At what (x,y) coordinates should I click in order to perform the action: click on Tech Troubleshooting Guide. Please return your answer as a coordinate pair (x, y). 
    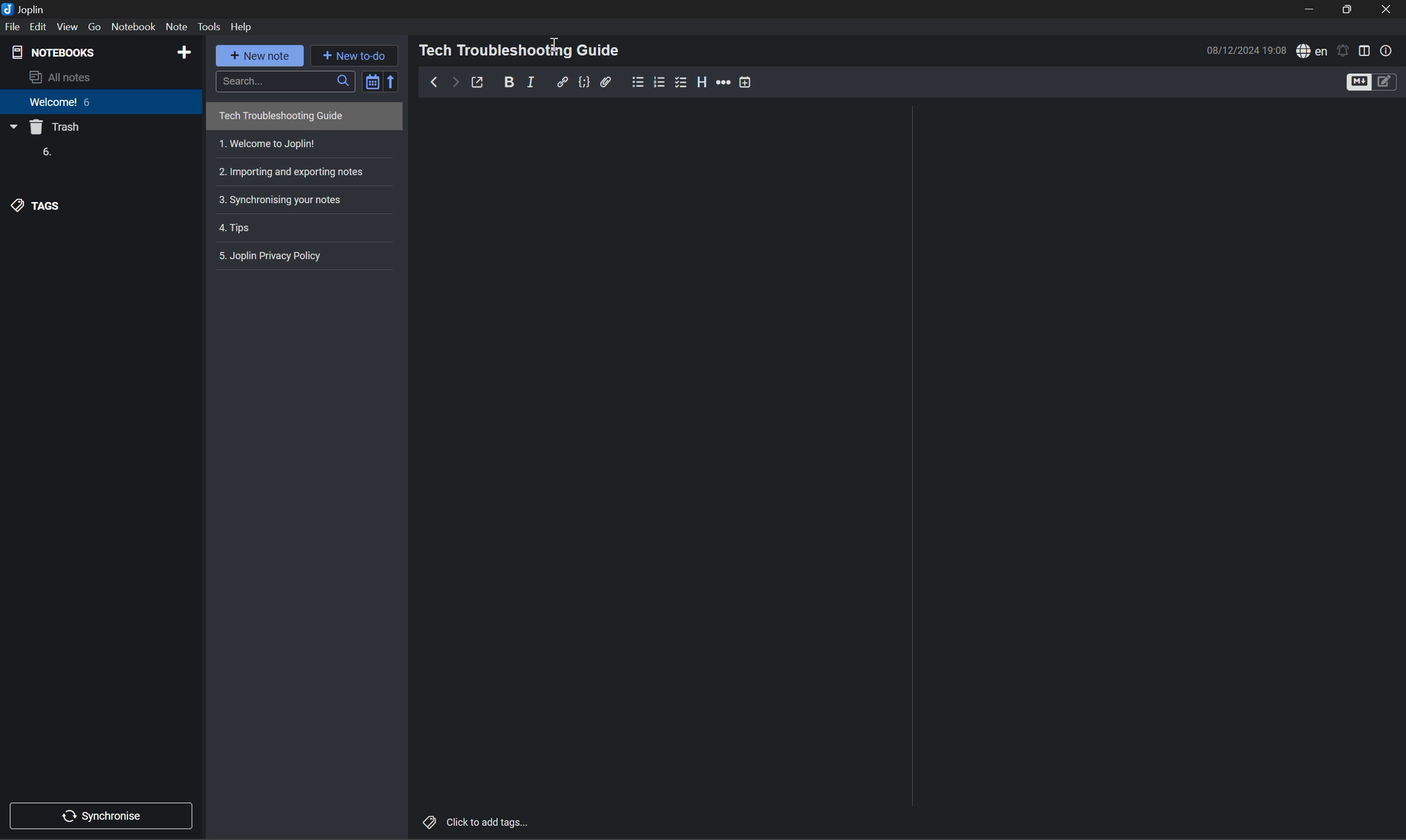
    Looking at the image, I should click on (521, 50).